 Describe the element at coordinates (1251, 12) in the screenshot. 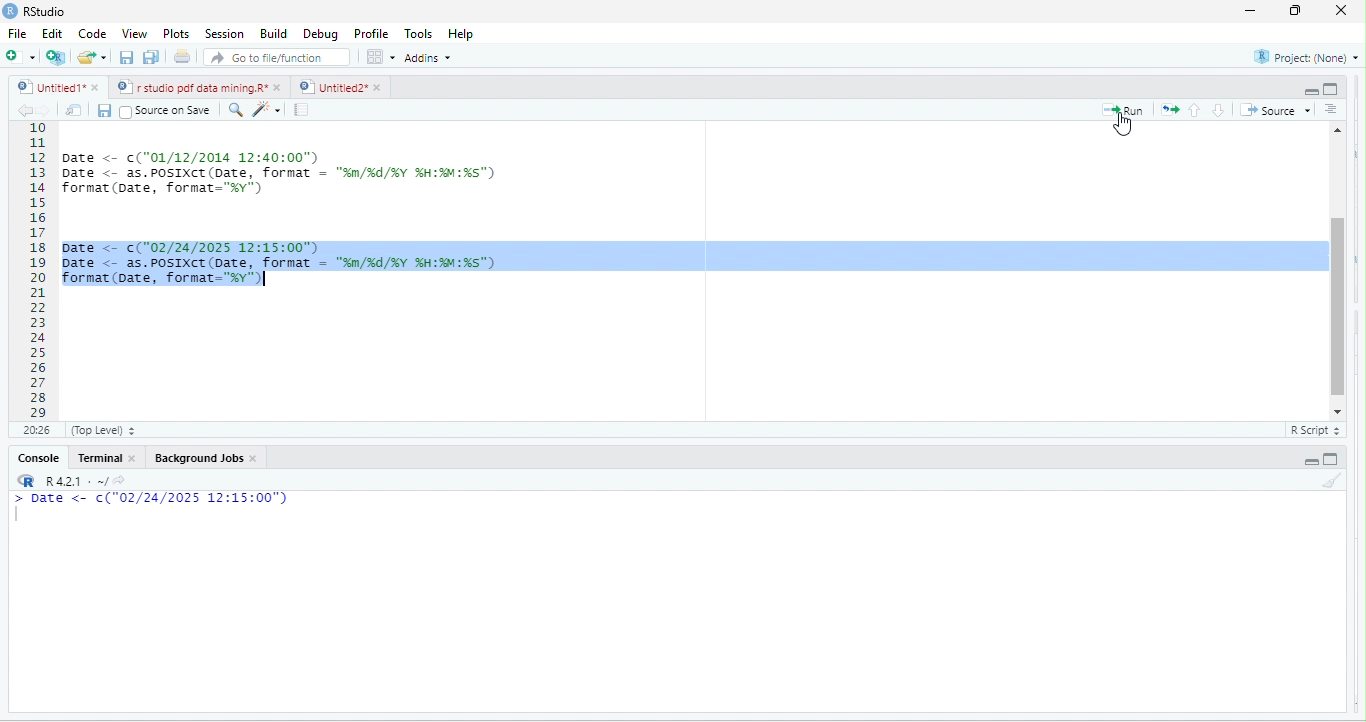

I see `minimize` at that location.